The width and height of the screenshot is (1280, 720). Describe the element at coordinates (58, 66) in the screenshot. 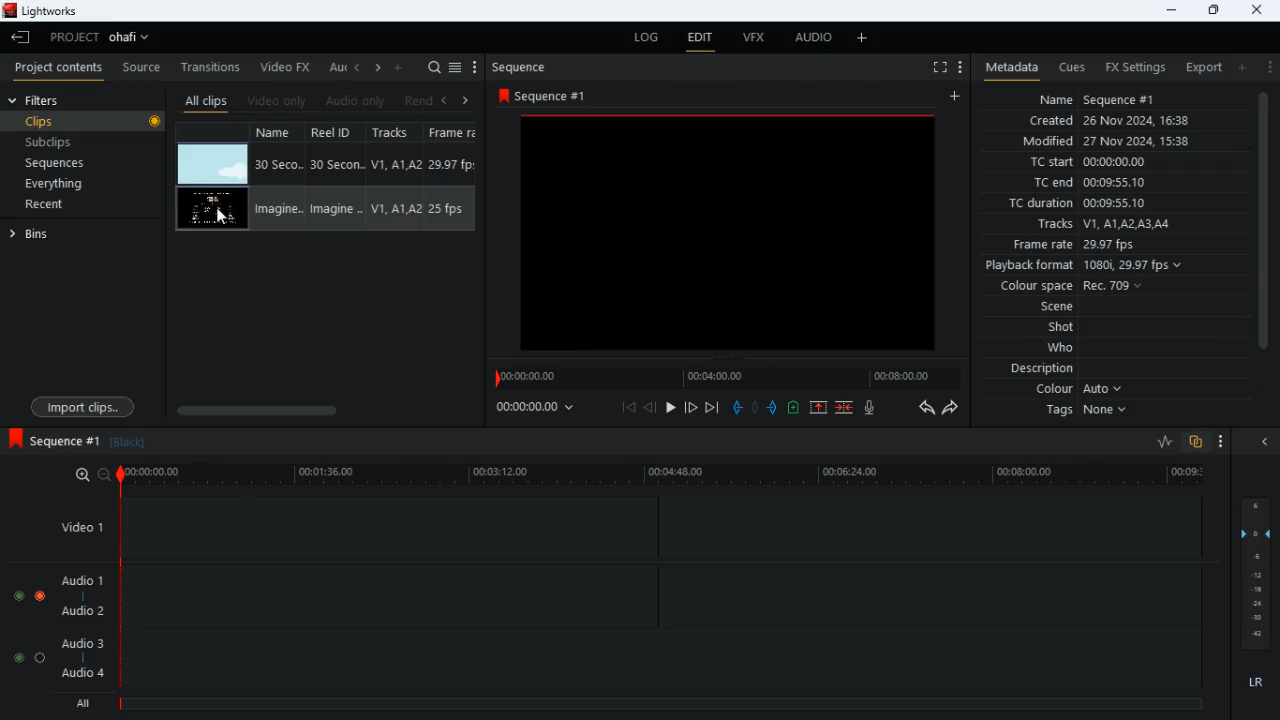

I see `project contents` at that location.